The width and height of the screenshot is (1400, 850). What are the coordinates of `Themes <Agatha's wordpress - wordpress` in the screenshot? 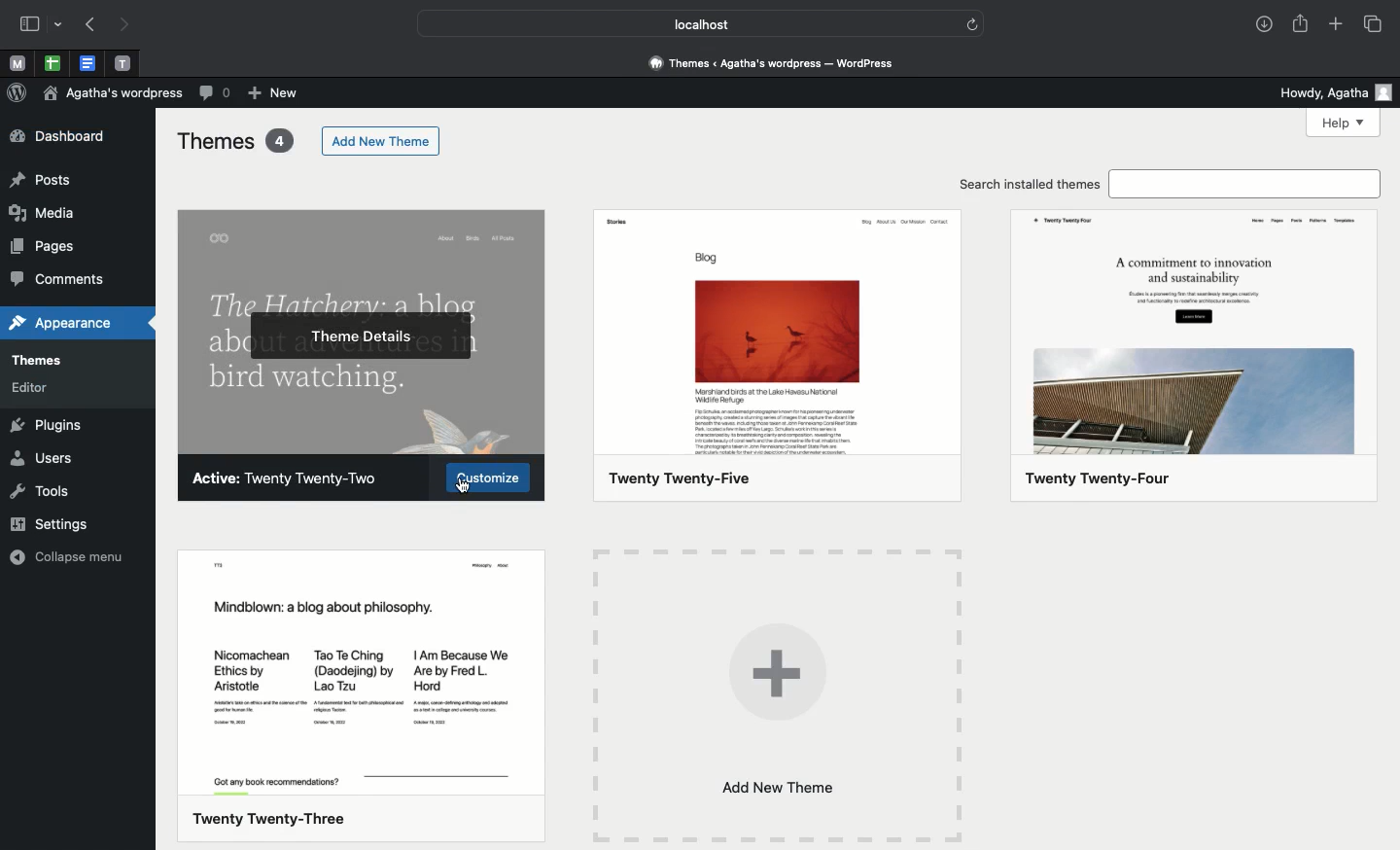 It's located at (771, 60).